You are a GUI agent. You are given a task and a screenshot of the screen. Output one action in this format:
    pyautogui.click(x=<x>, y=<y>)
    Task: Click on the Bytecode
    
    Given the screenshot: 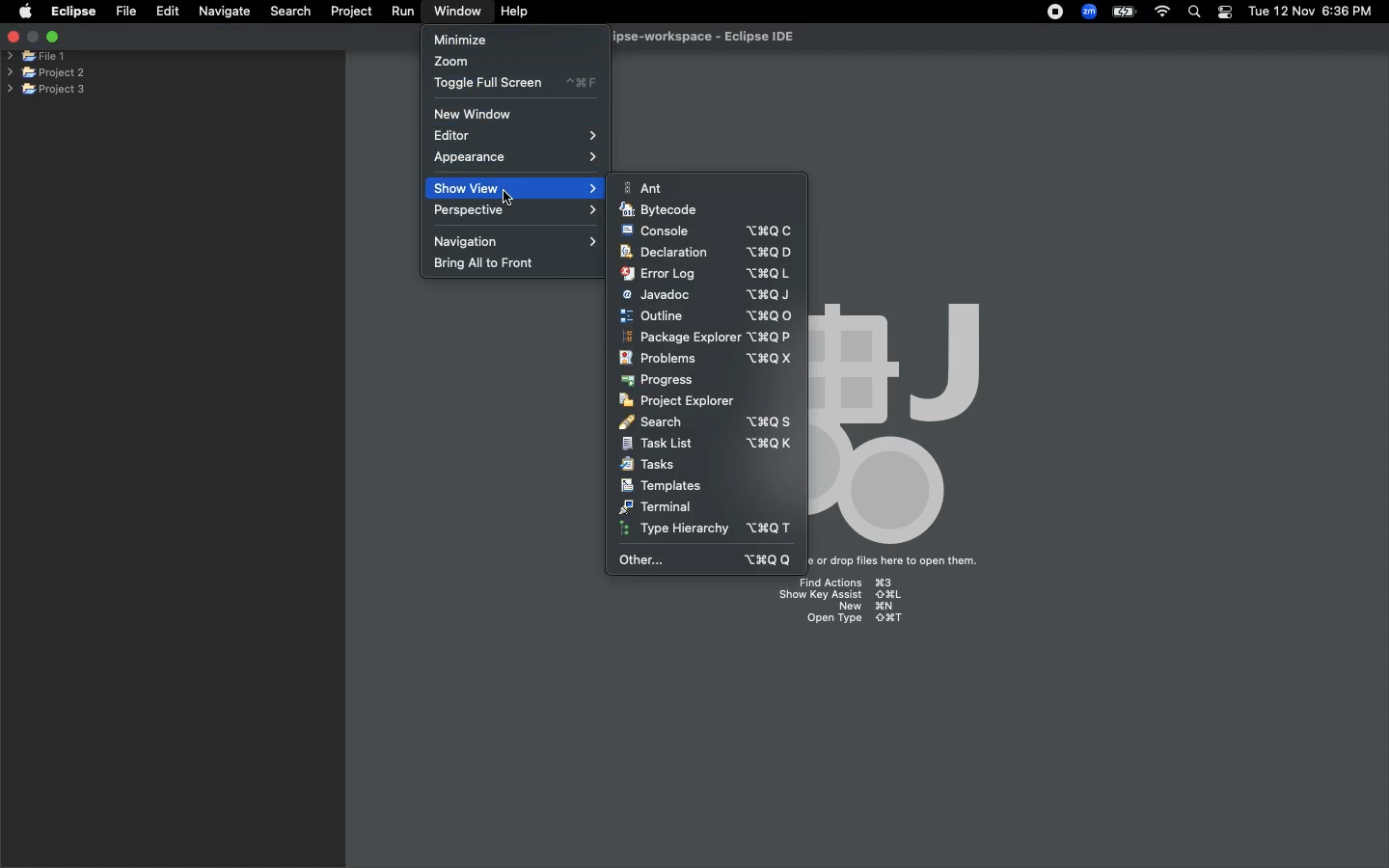 What is the action you would take?
    pyautogui.click(x=660, y=210)
    